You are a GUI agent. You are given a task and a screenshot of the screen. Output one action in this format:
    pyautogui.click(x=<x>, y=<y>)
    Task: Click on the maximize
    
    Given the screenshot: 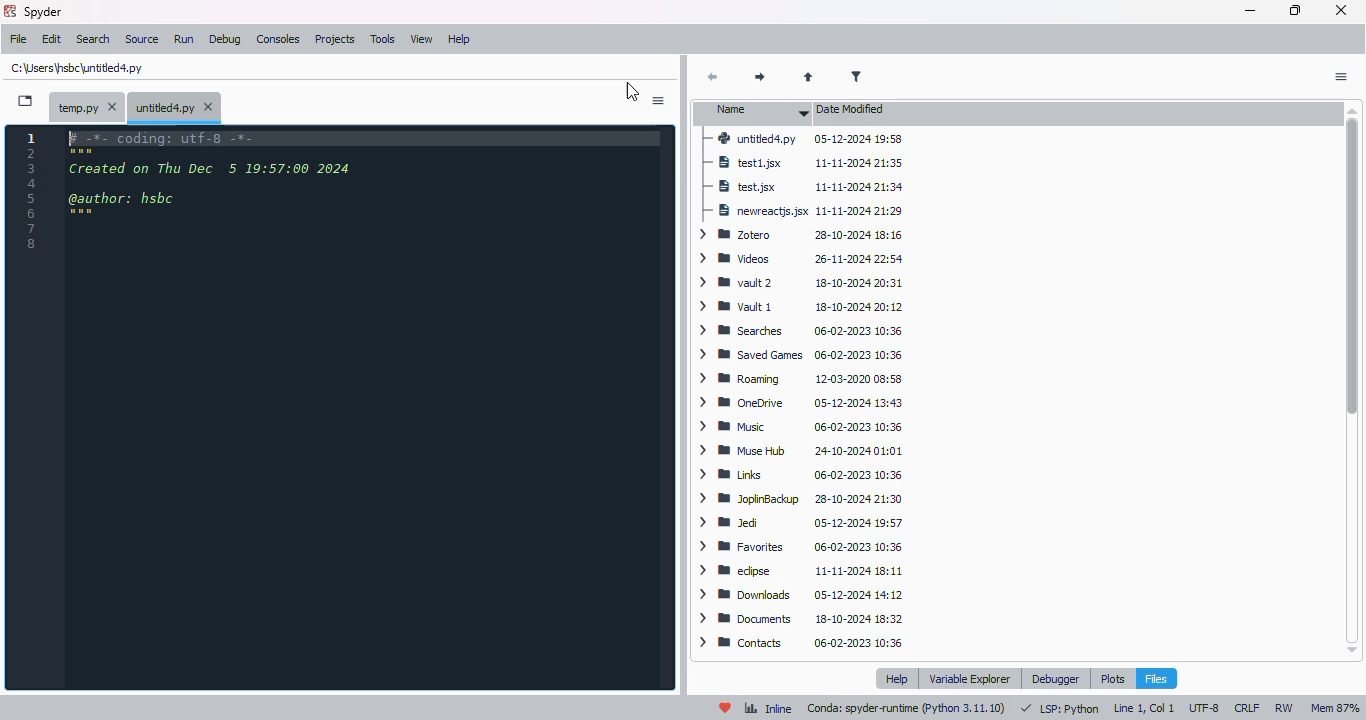 What is the action you would take?
    pyautogui.click(x=1296, y=10)
    